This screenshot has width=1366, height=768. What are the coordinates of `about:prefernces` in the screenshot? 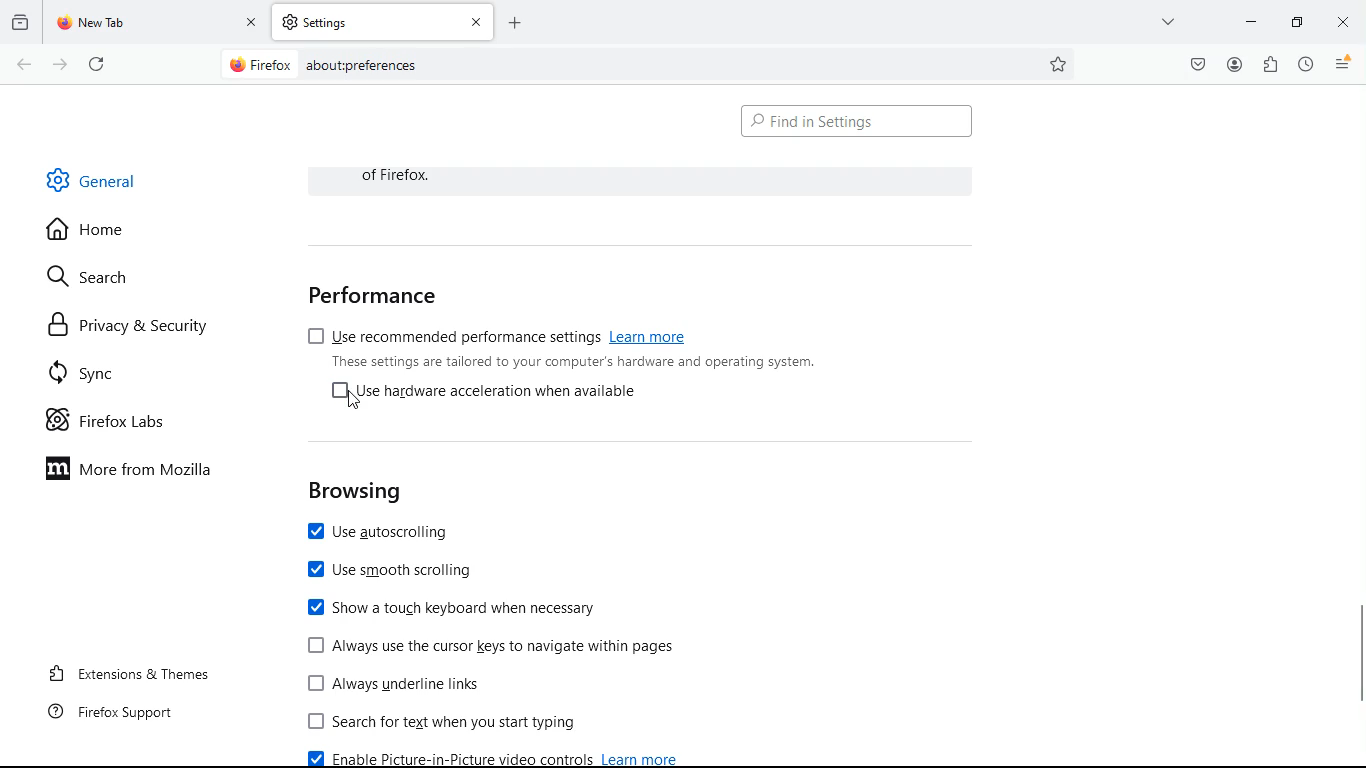 It's located at (361, 65).